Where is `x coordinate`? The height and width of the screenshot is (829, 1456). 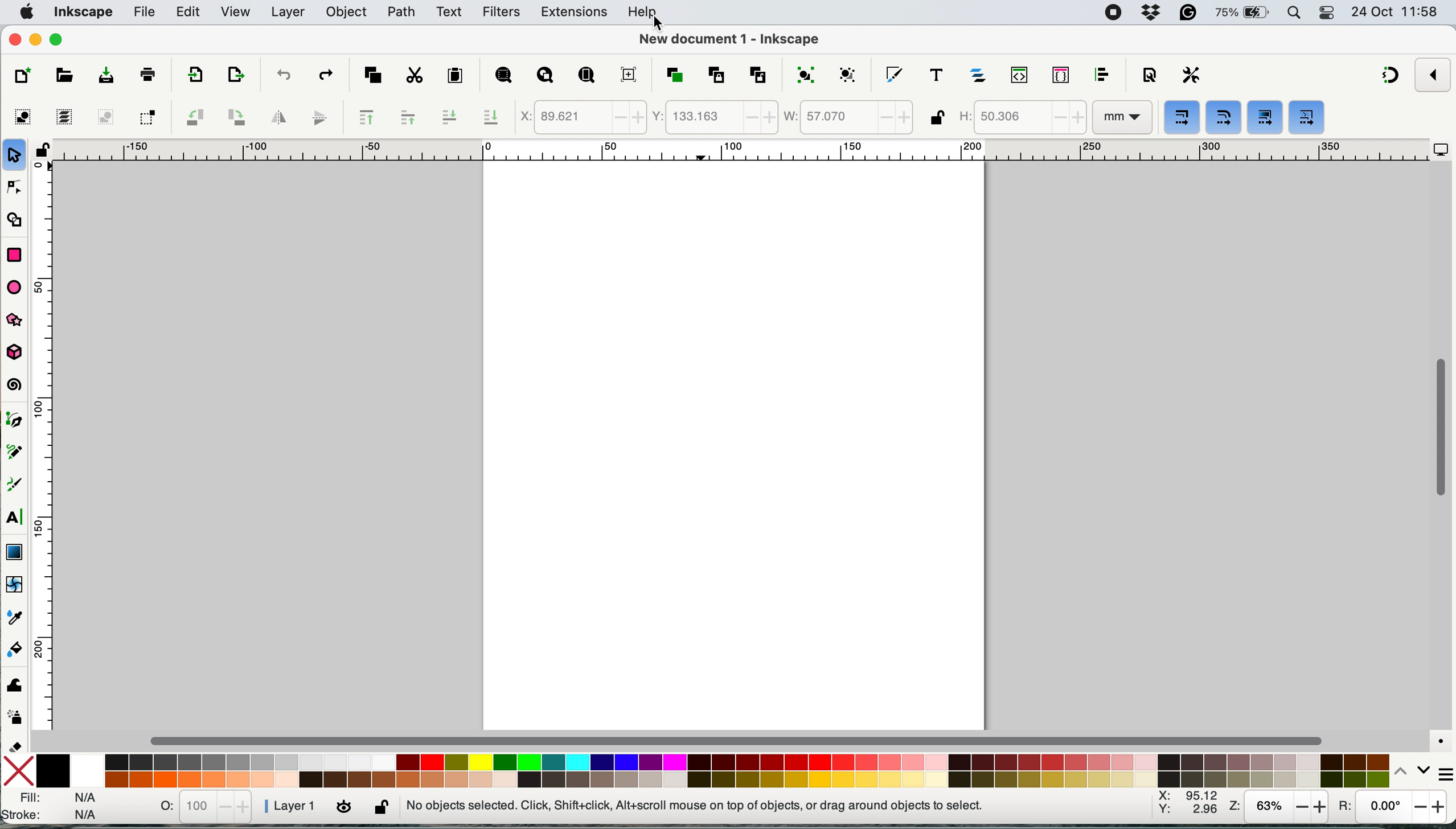 x coordinate is located at coordinates (583, 118).